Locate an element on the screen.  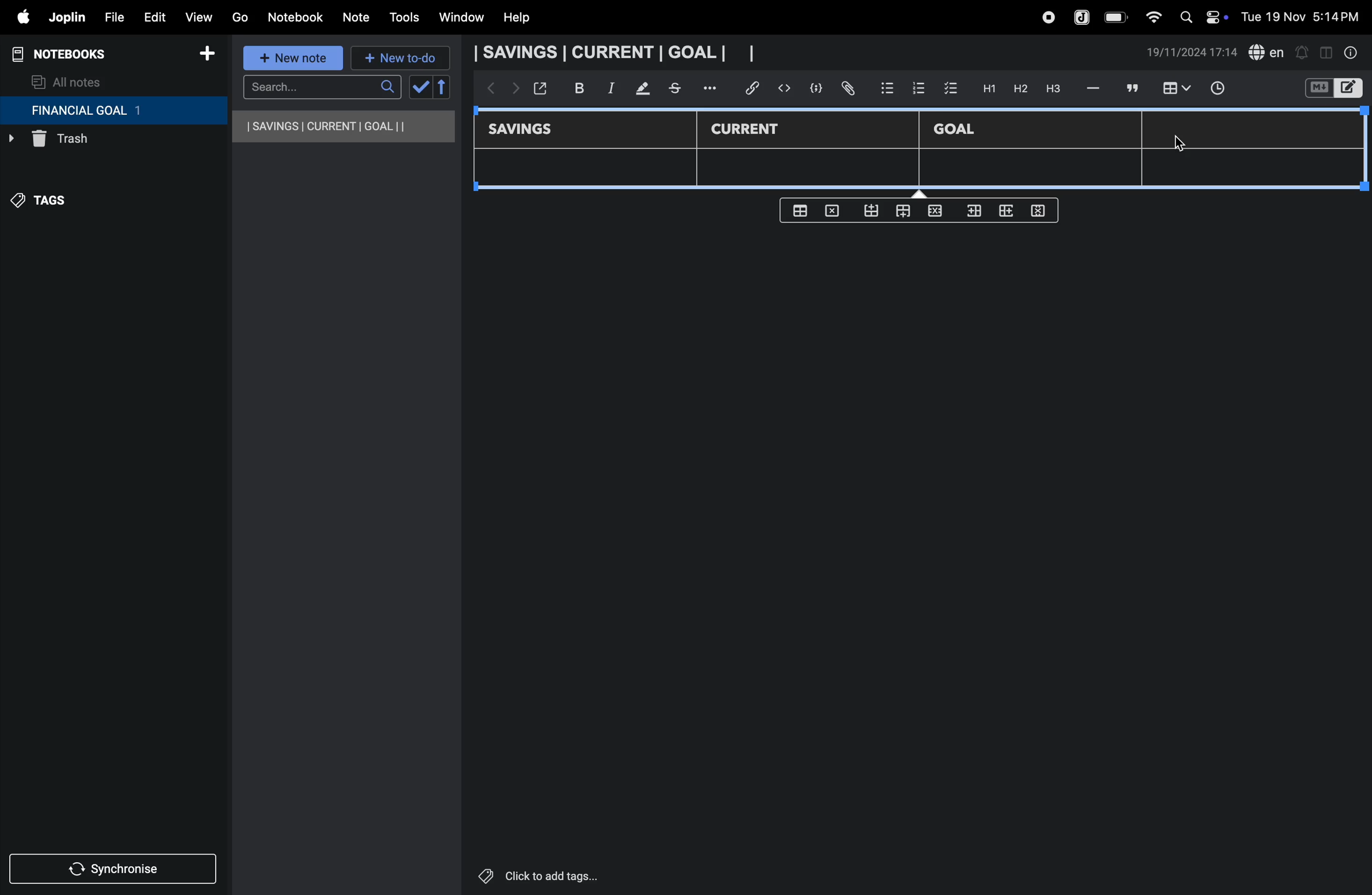
notebooks is located at coordinates (69, 54).